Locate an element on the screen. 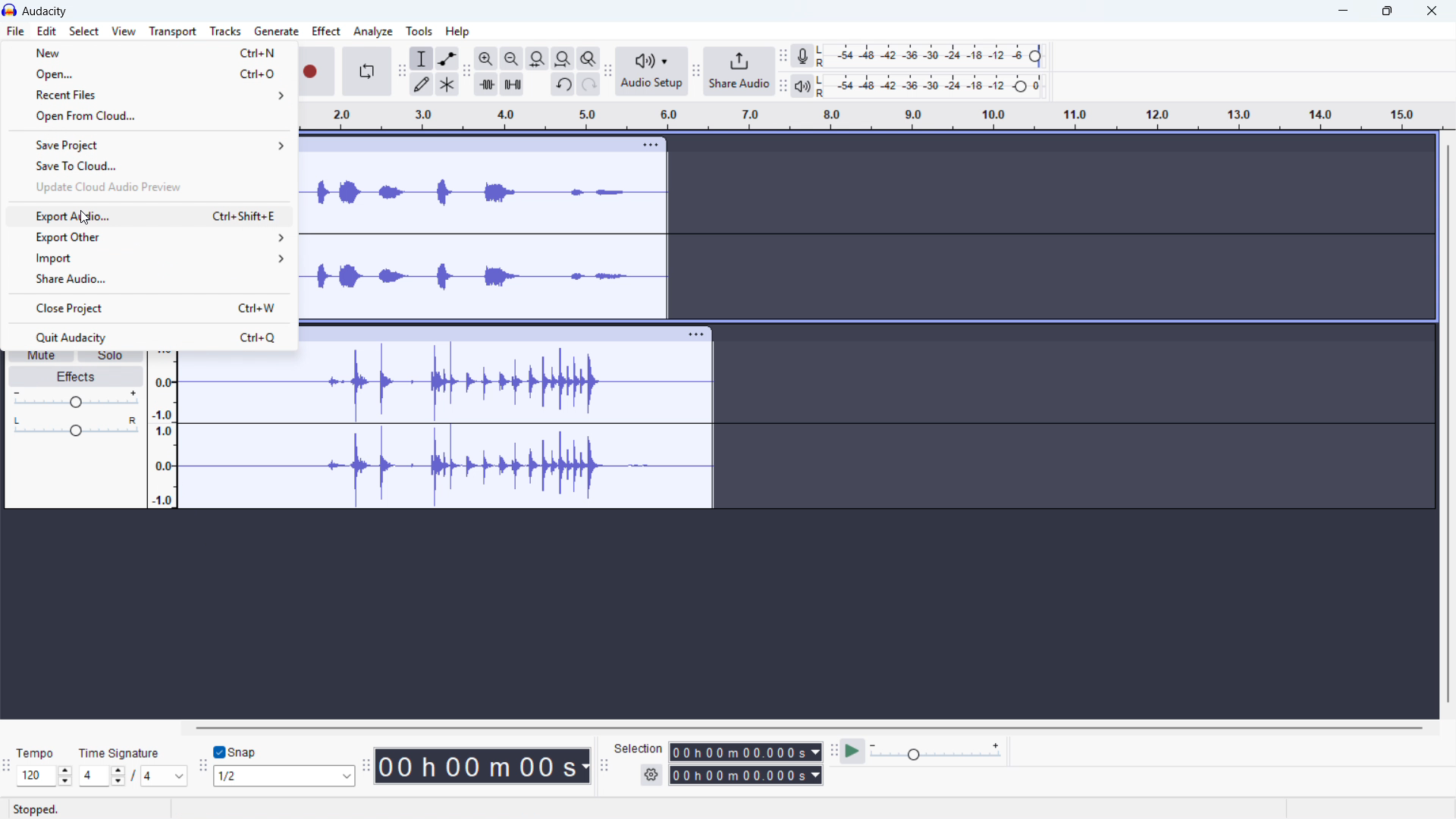 This screenshot has height=819, width=1456. Effect  is located at coordinates (326, 30).